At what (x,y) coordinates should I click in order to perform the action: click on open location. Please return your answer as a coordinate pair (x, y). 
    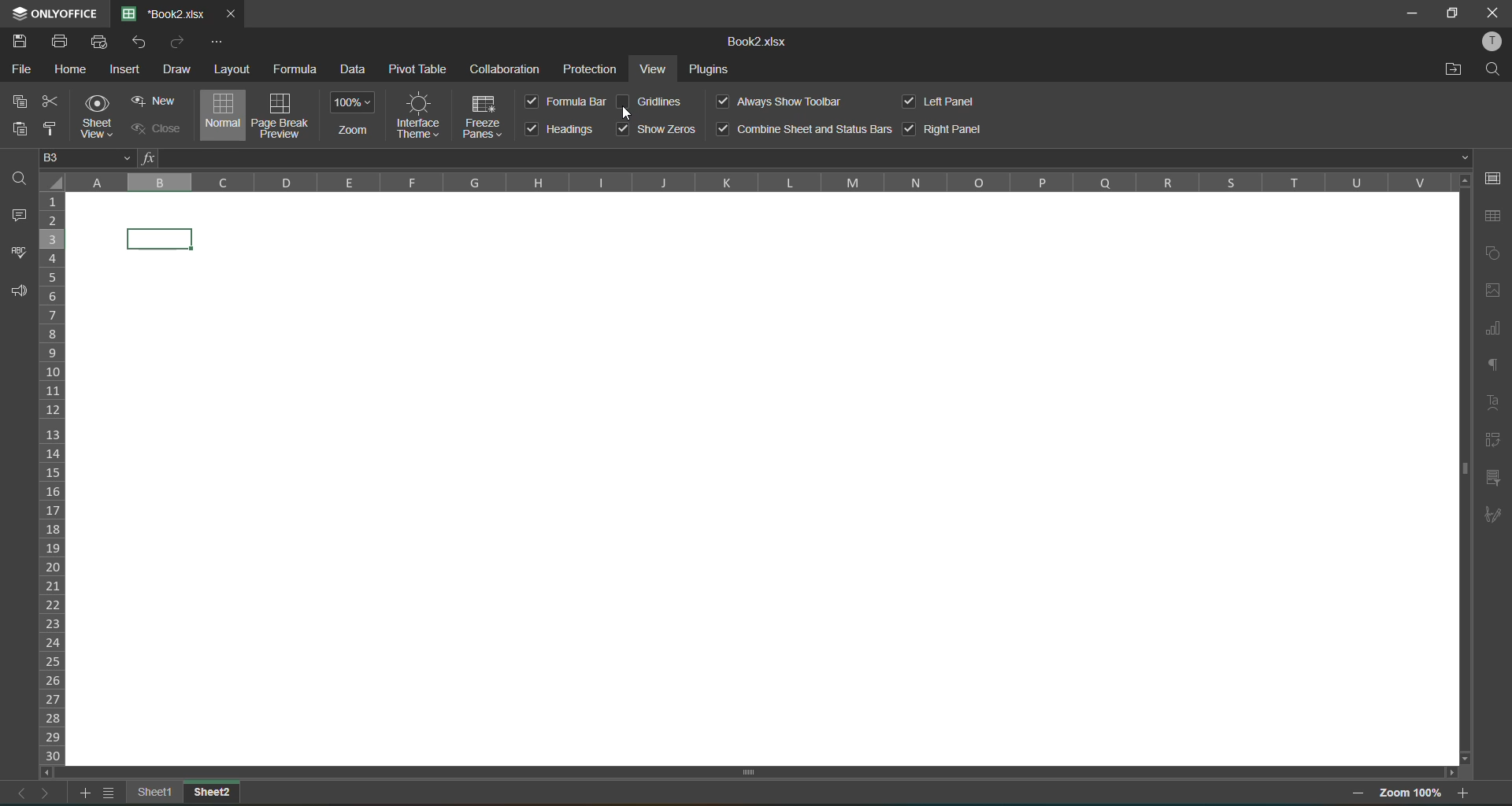
    Looking at the image, I should click on (1457, 68).